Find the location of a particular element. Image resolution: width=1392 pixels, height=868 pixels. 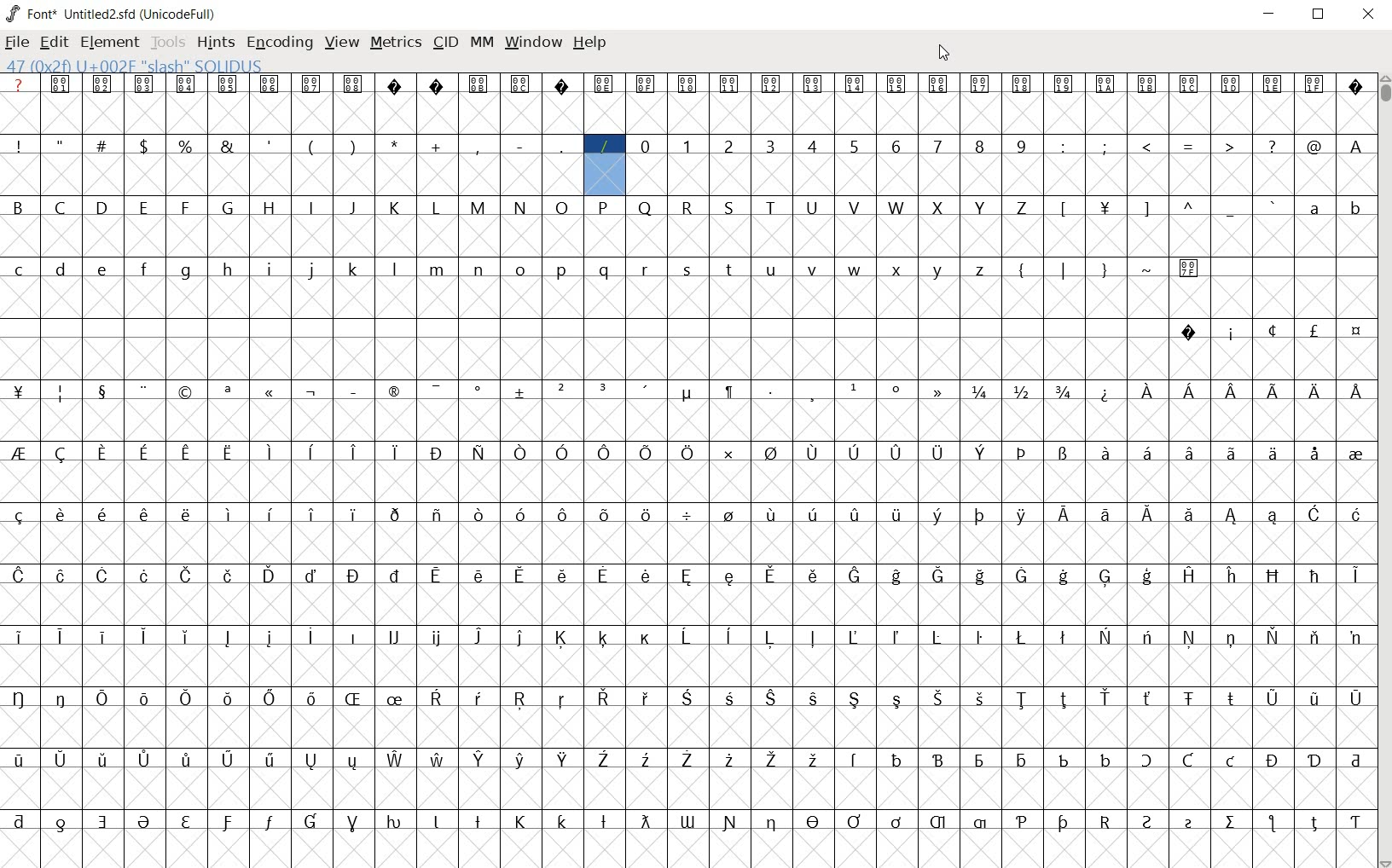

glyph is located at coordinates (1149, 269).